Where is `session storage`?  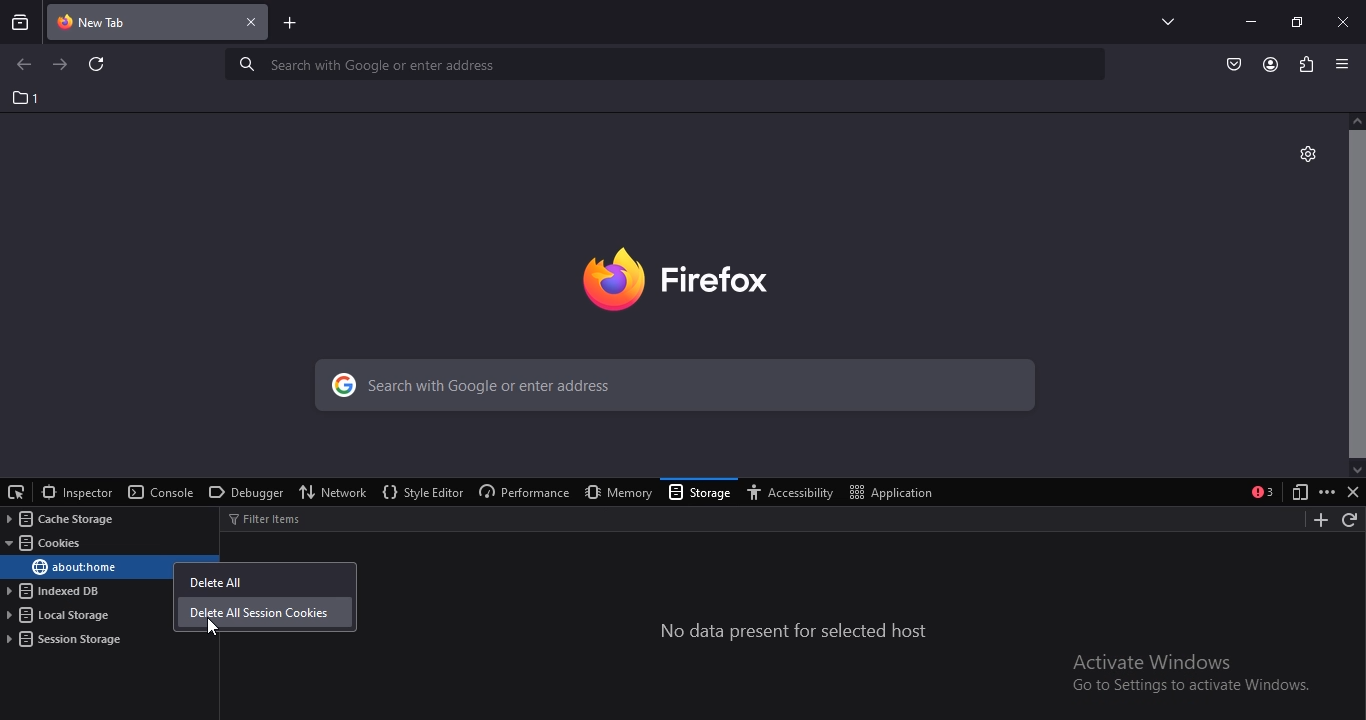
session storage is located at coordinates (66, 639).